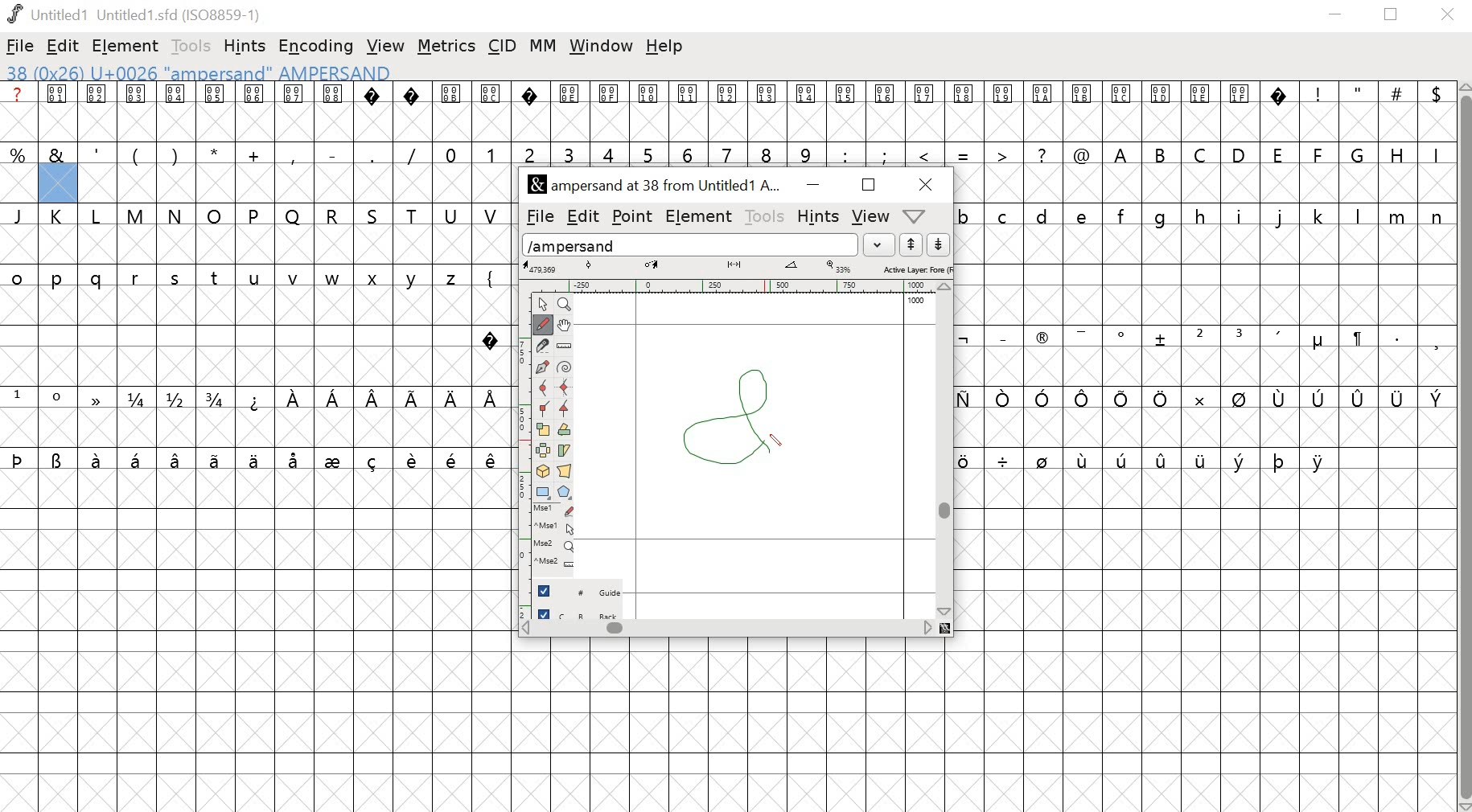  What do you see at coordinates (178, 399) in the screenshot?
I see `1/2` at bounding box center [178, 399].